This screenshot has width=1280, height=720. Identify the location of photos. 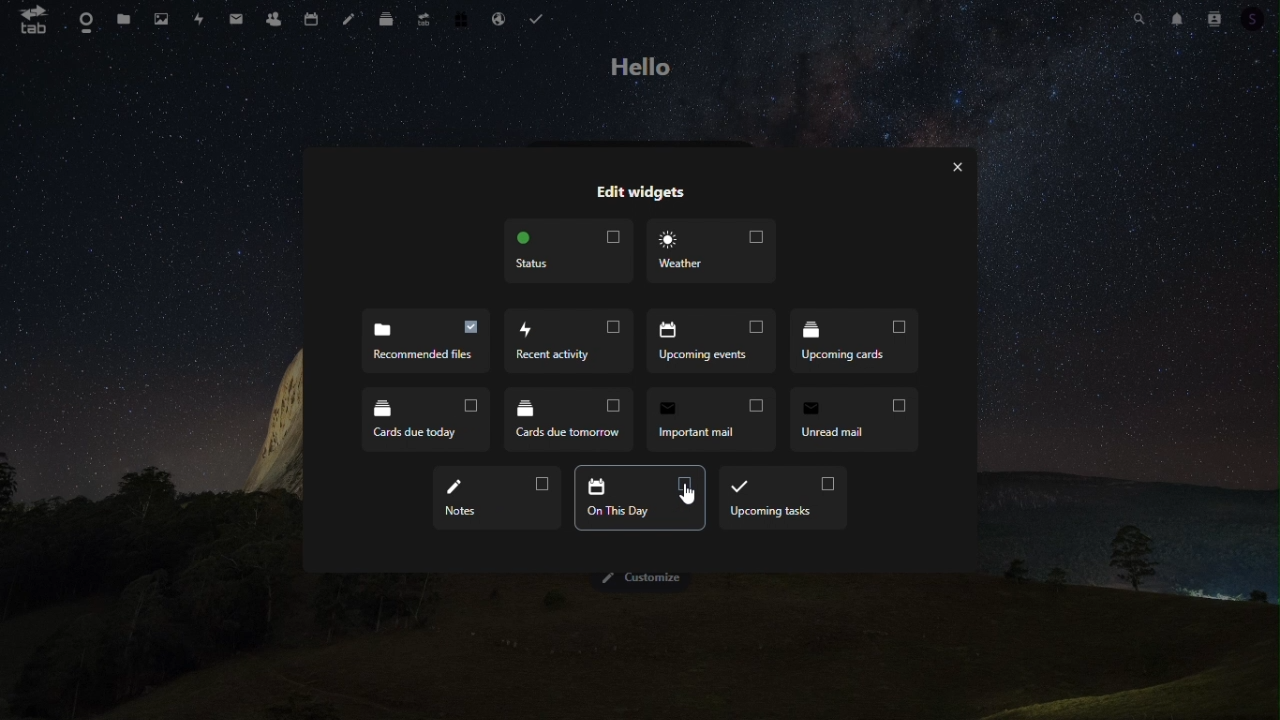
(156, 19).